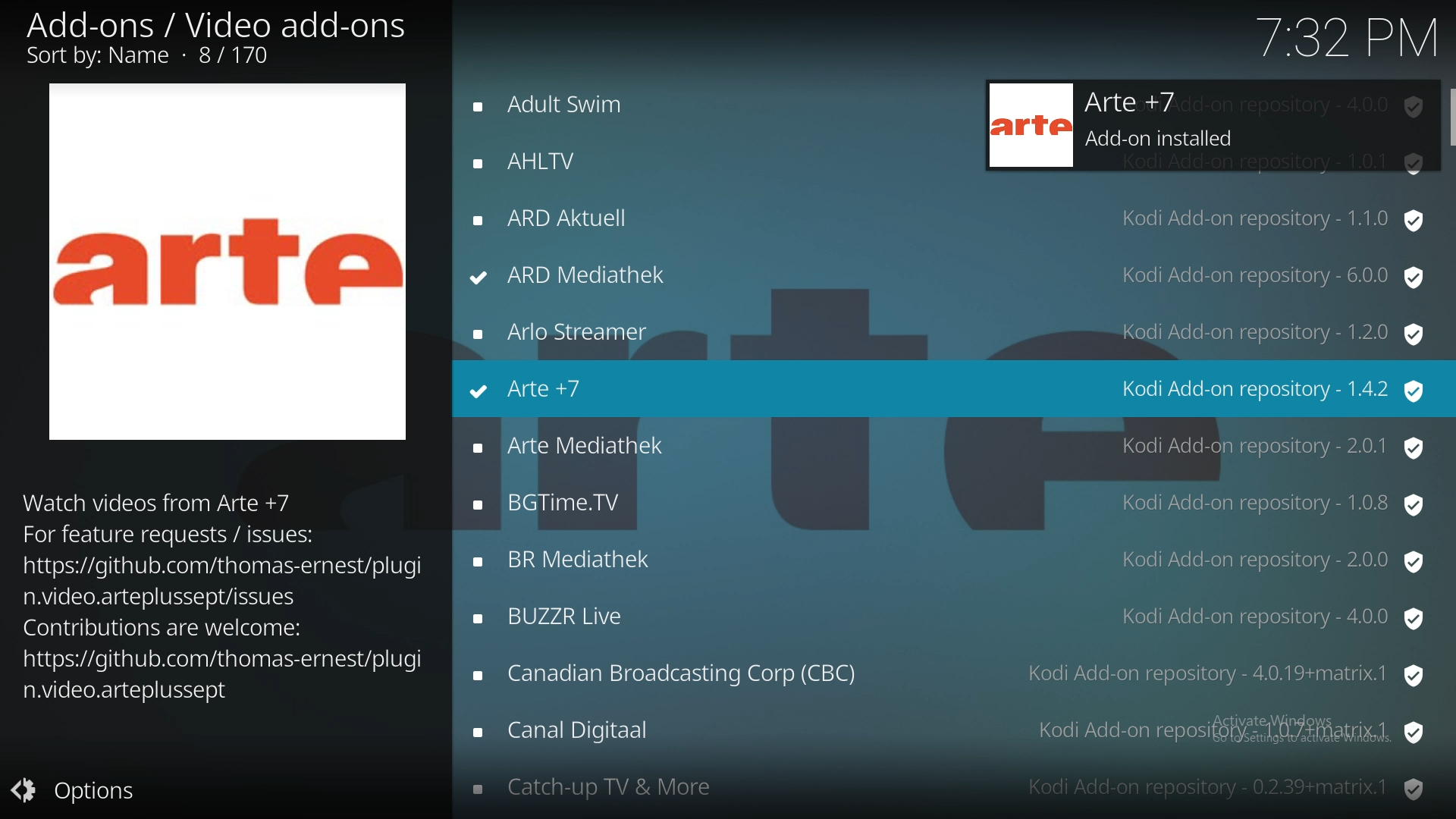  Describe the element at coordinates (1204, 127) in the screenshot. I see `update` at that location.